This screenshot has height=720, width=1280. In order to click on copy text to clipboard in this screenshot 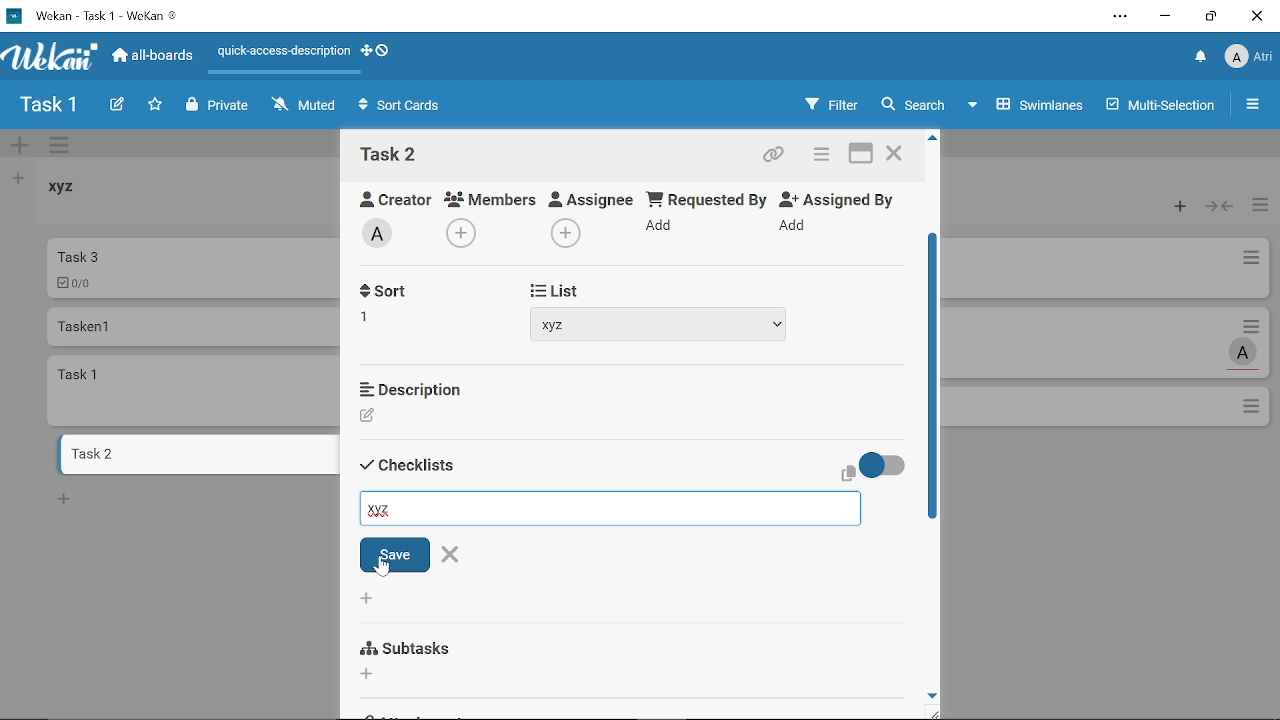, I will do `click(847, 473)`.